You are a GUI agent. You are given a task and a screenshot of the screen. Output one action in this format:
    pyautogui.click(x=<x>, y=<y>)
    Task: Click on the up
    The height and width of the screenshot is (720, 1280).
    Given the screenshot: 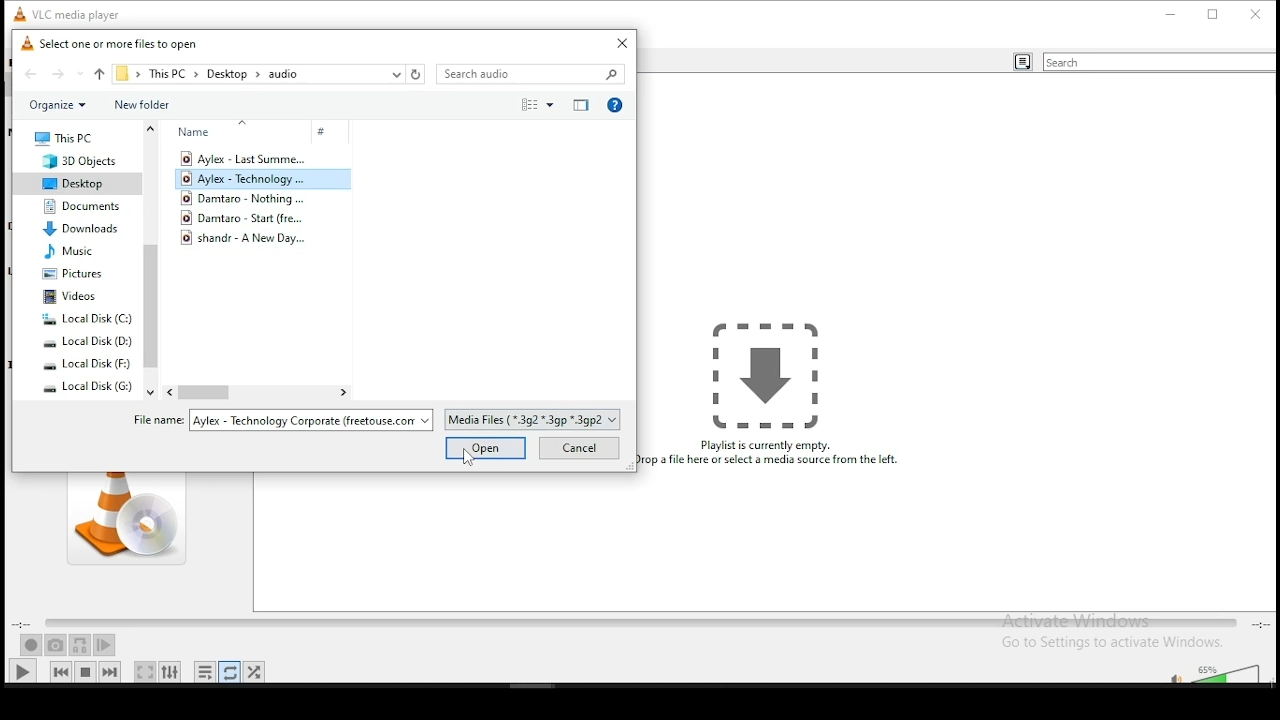 What is the action you would take?
    pyautogui.click(x=100, y=73)
    